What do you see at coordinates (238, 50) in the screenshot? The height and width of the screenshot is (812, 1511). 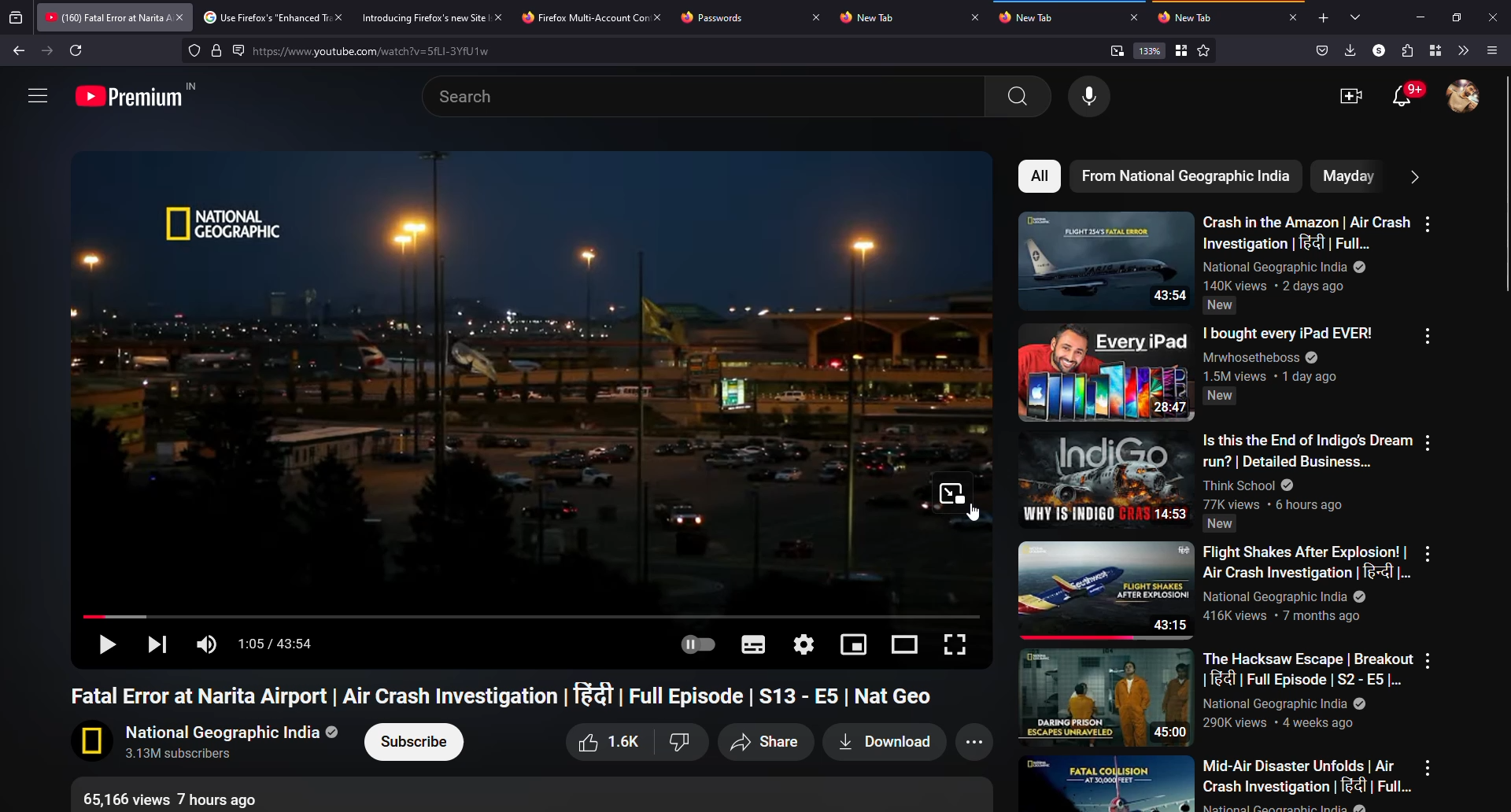 I see `read` at bounding box center [238, 50].